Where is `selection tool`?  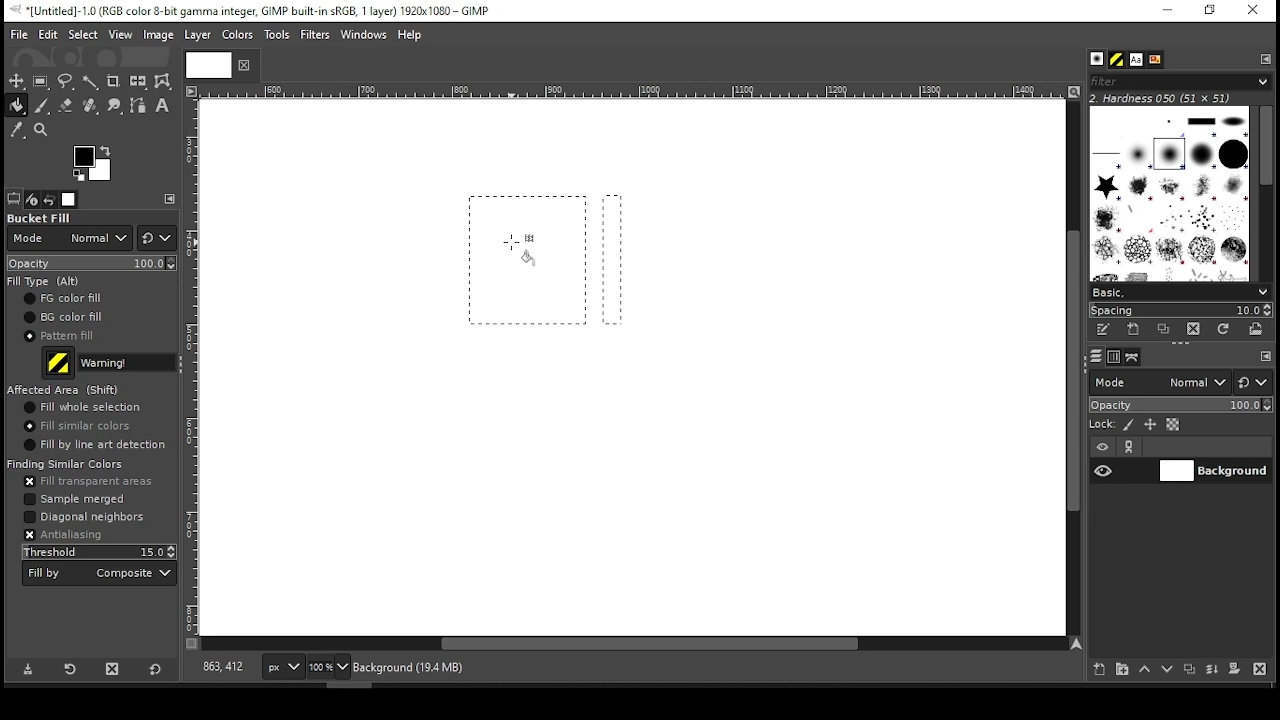 selection tool is located at coordinates (17, 81).